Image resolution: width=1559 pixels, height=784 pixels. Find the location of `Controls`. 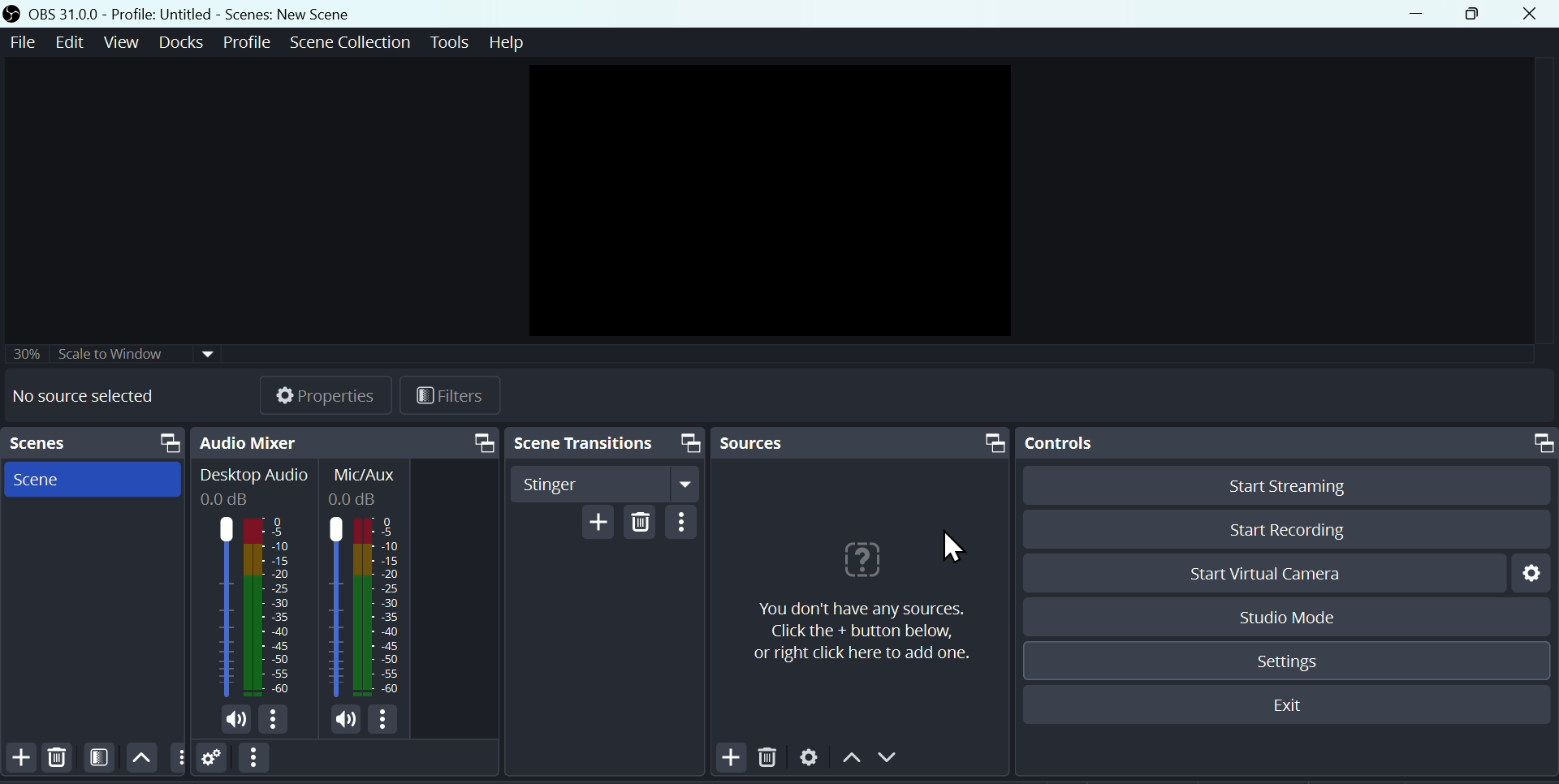

Controls is located at coordinates (1065, 442).